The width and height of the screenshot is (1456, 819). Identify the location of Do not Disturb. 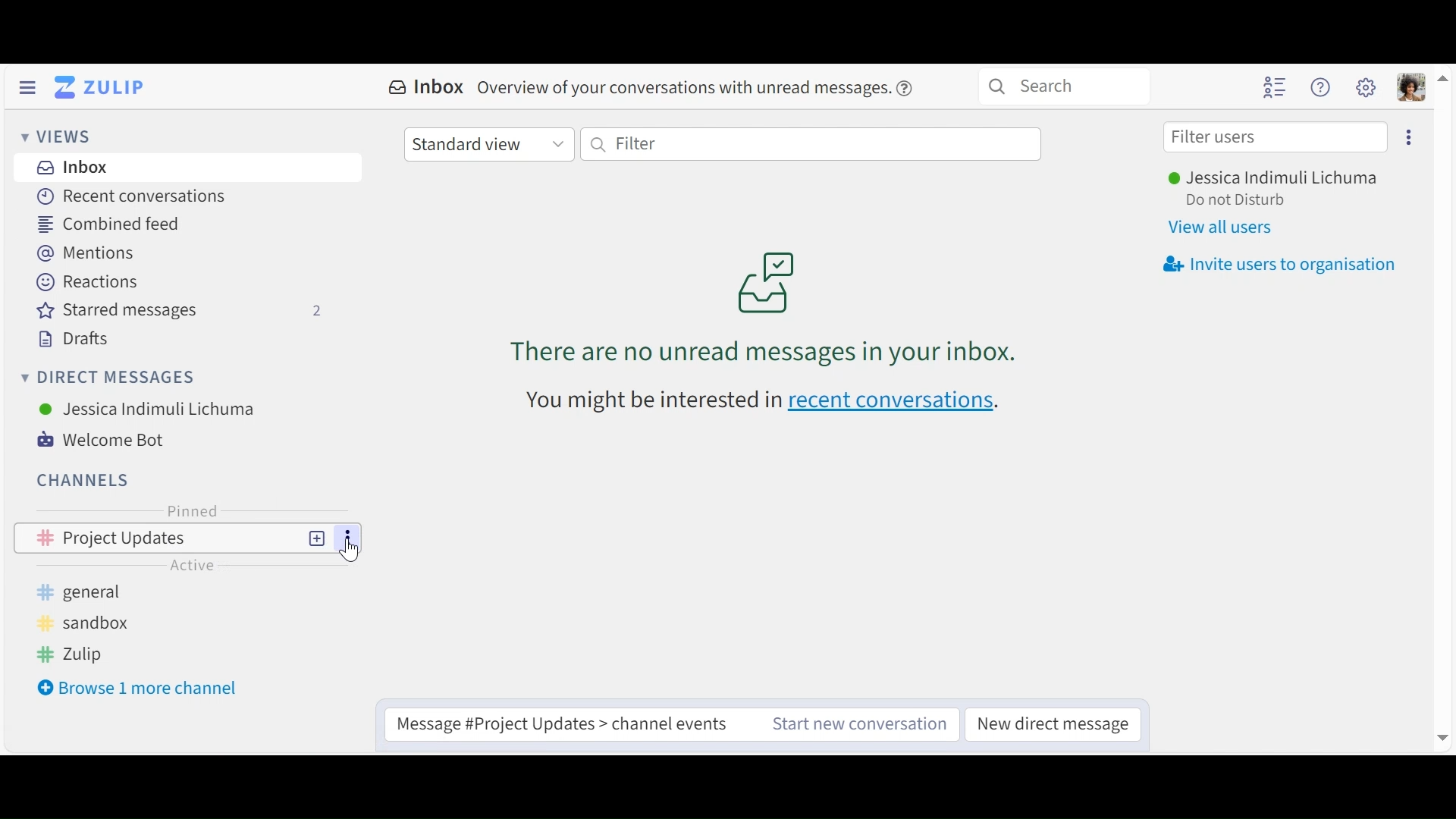
(1235, 201).